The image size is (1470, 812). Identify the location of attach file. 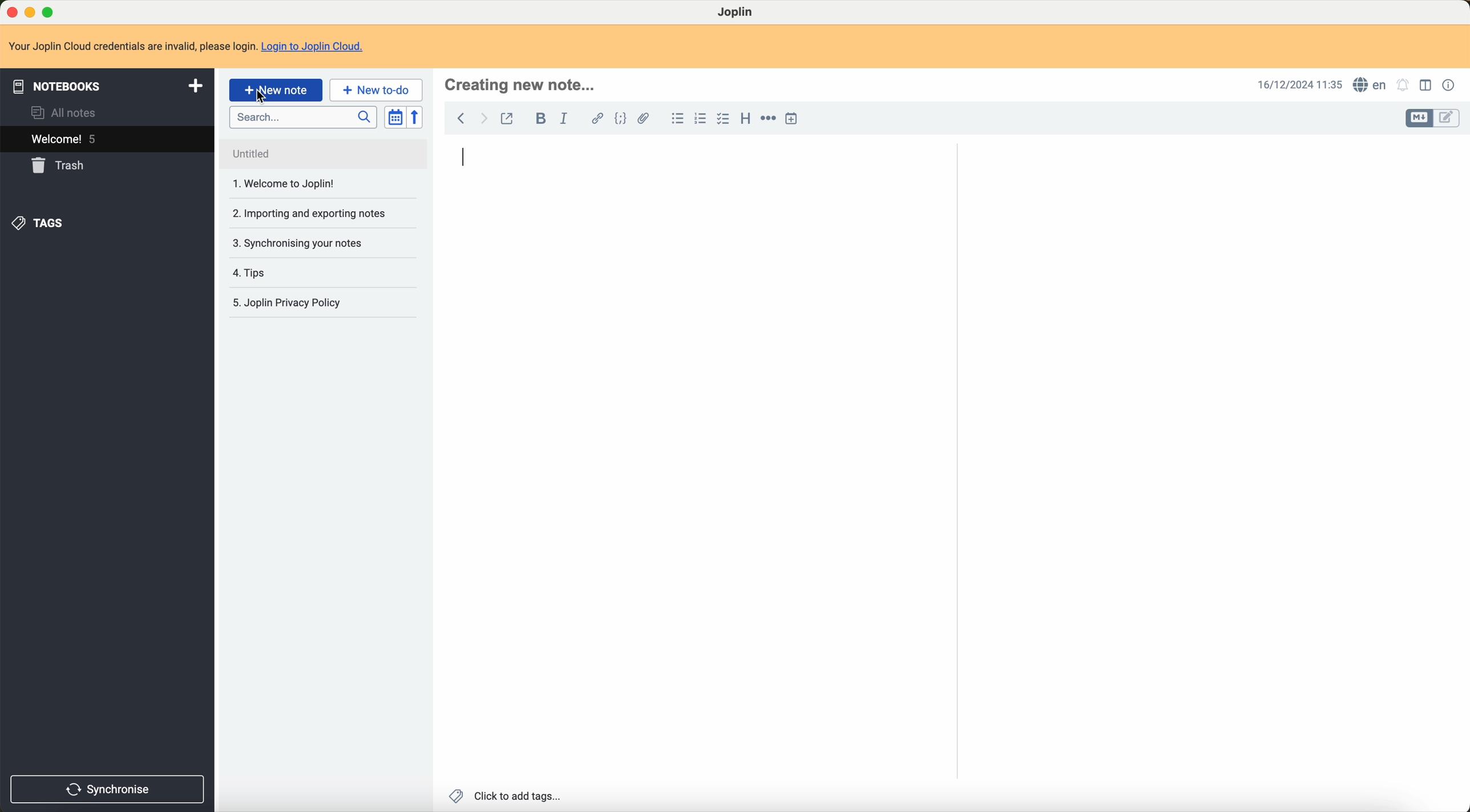
(644, 118).